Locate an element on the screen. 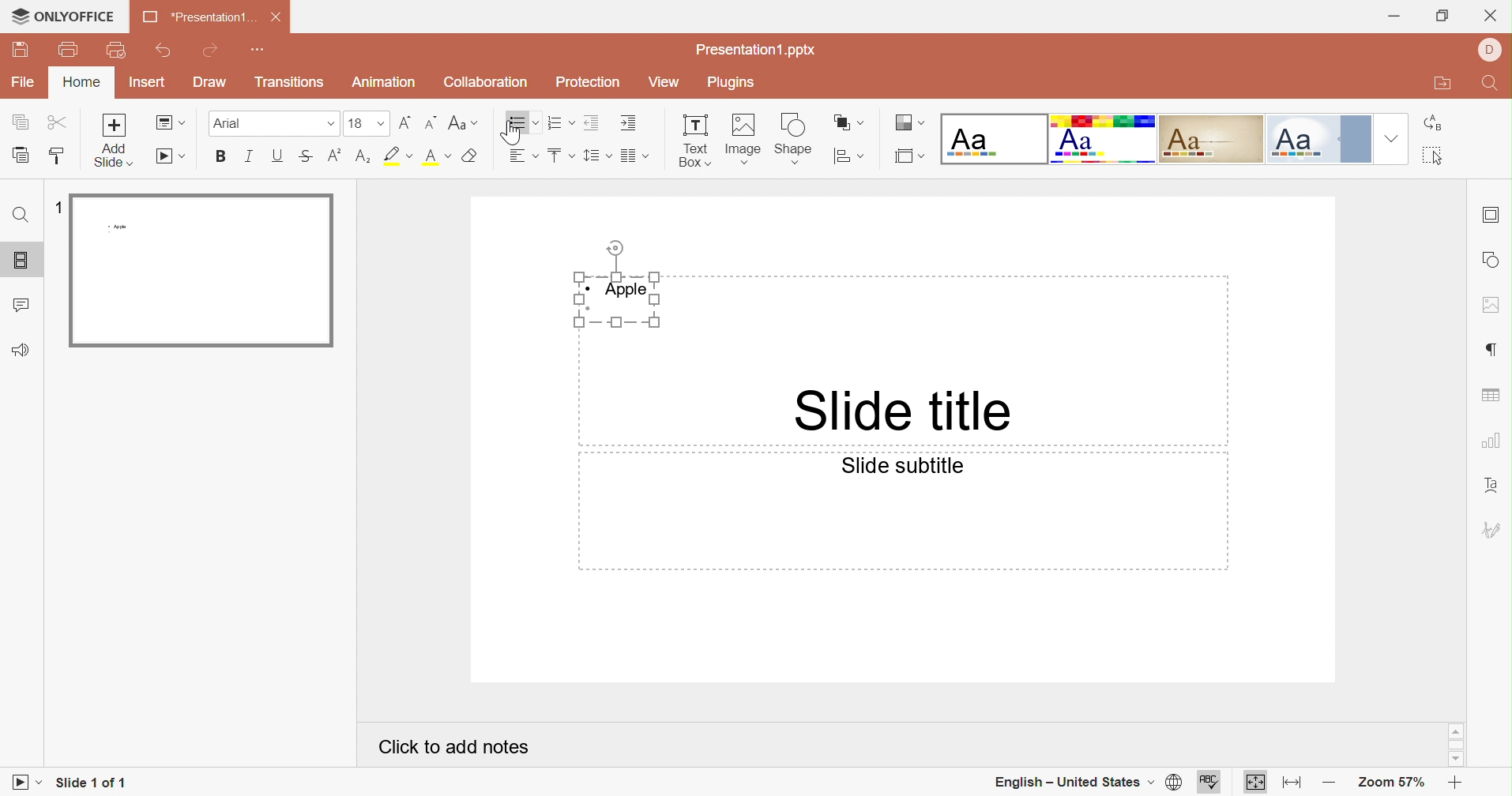 Image resolution: width=1512 pixels, height=796 pixels. Image is located at coordinates (745, 138).